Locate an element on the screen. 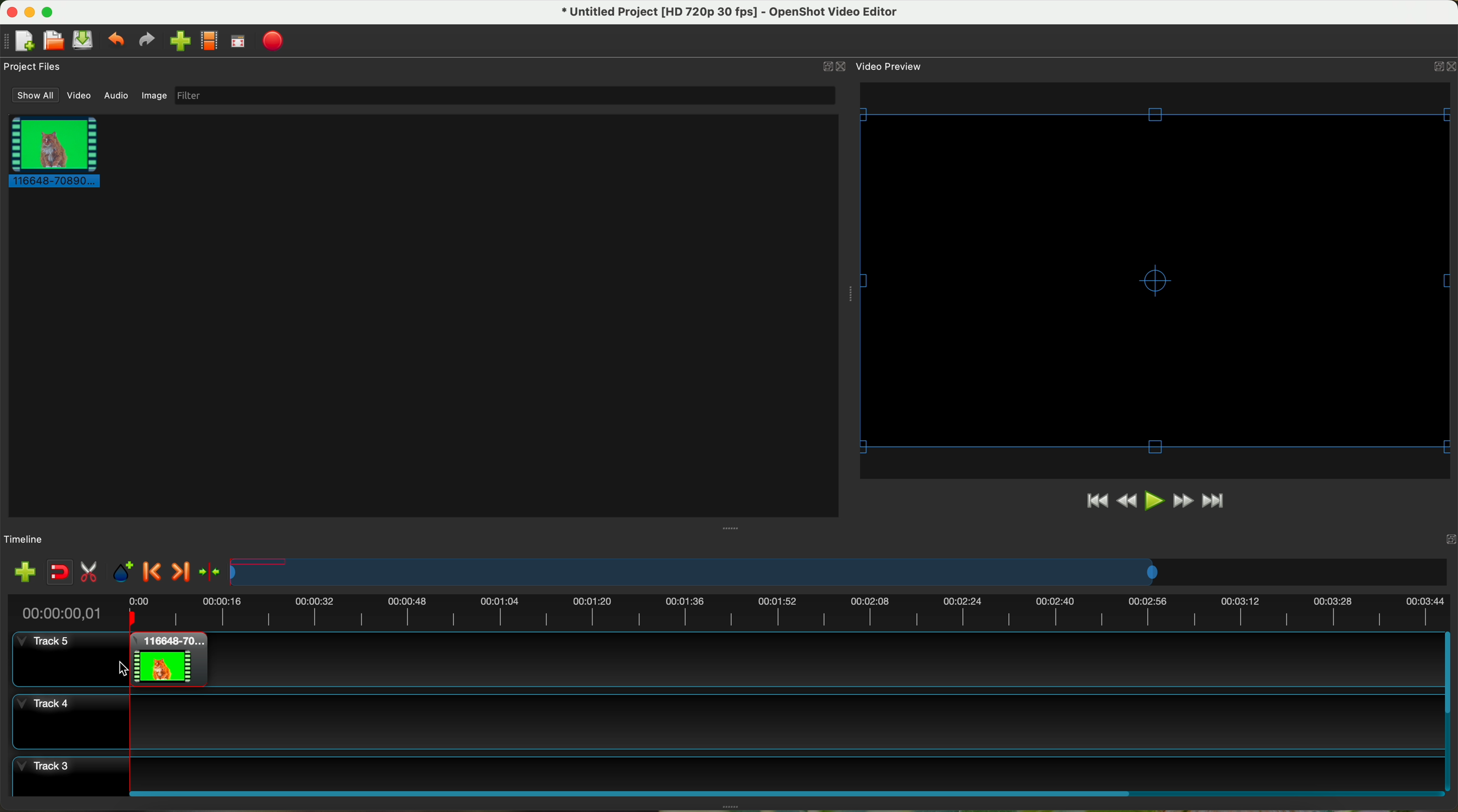  track 3 is located at coordinates (726, 771).